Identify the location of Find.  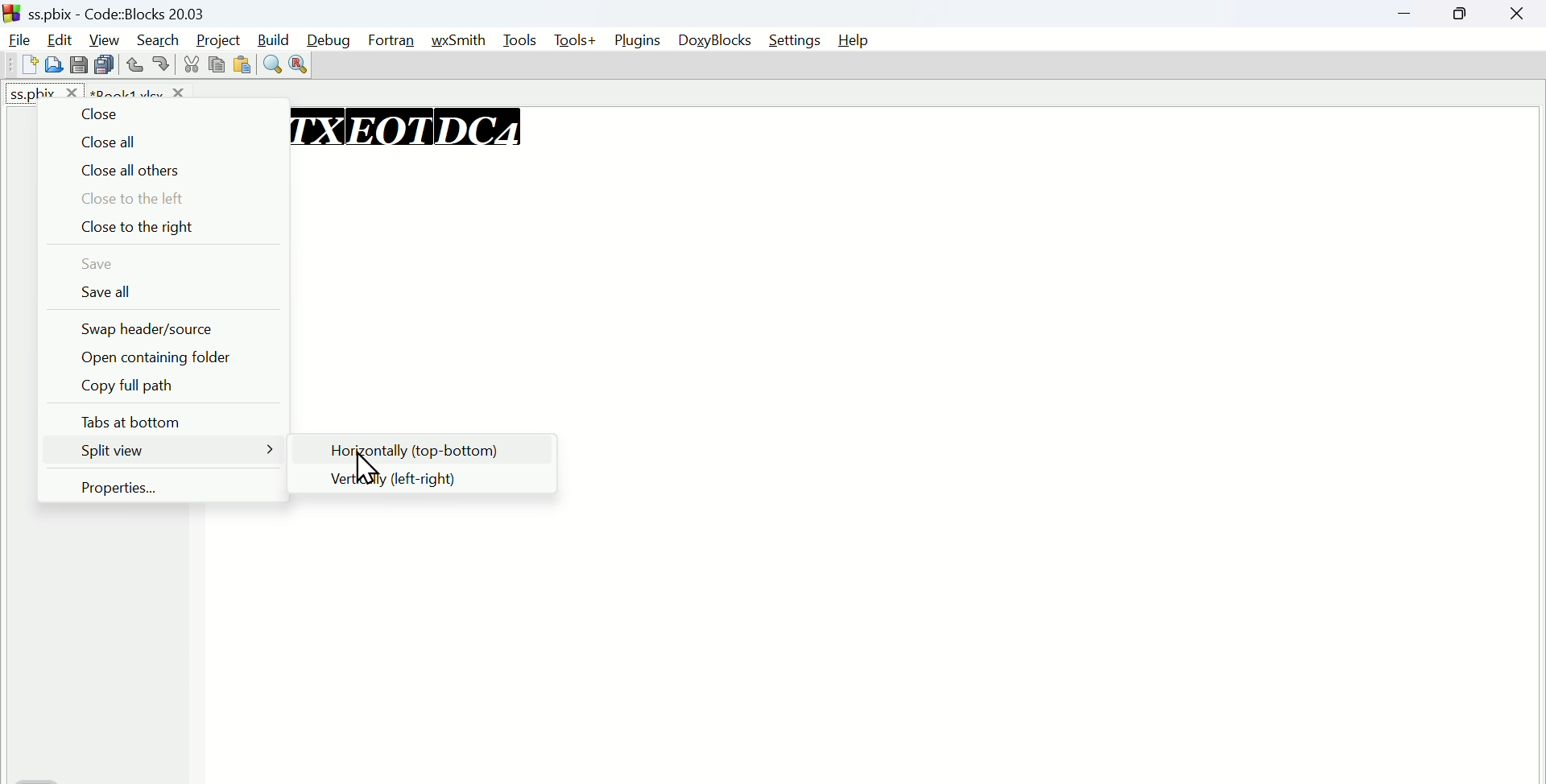
(271, 62).